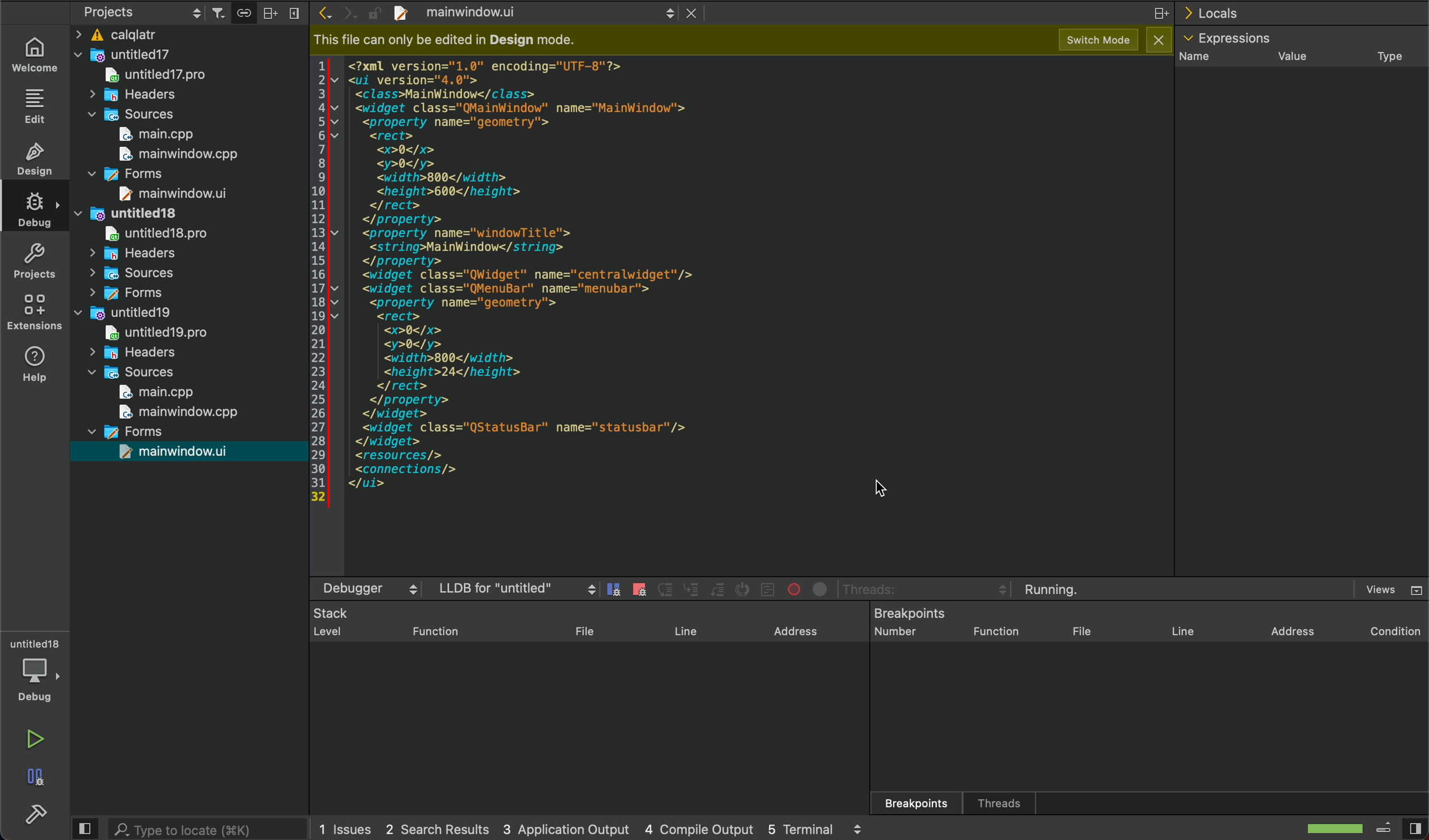 Image resolution: width=1429 pixels, height=840 pixels. I want to click on Stack
Level, so click(327, 623).